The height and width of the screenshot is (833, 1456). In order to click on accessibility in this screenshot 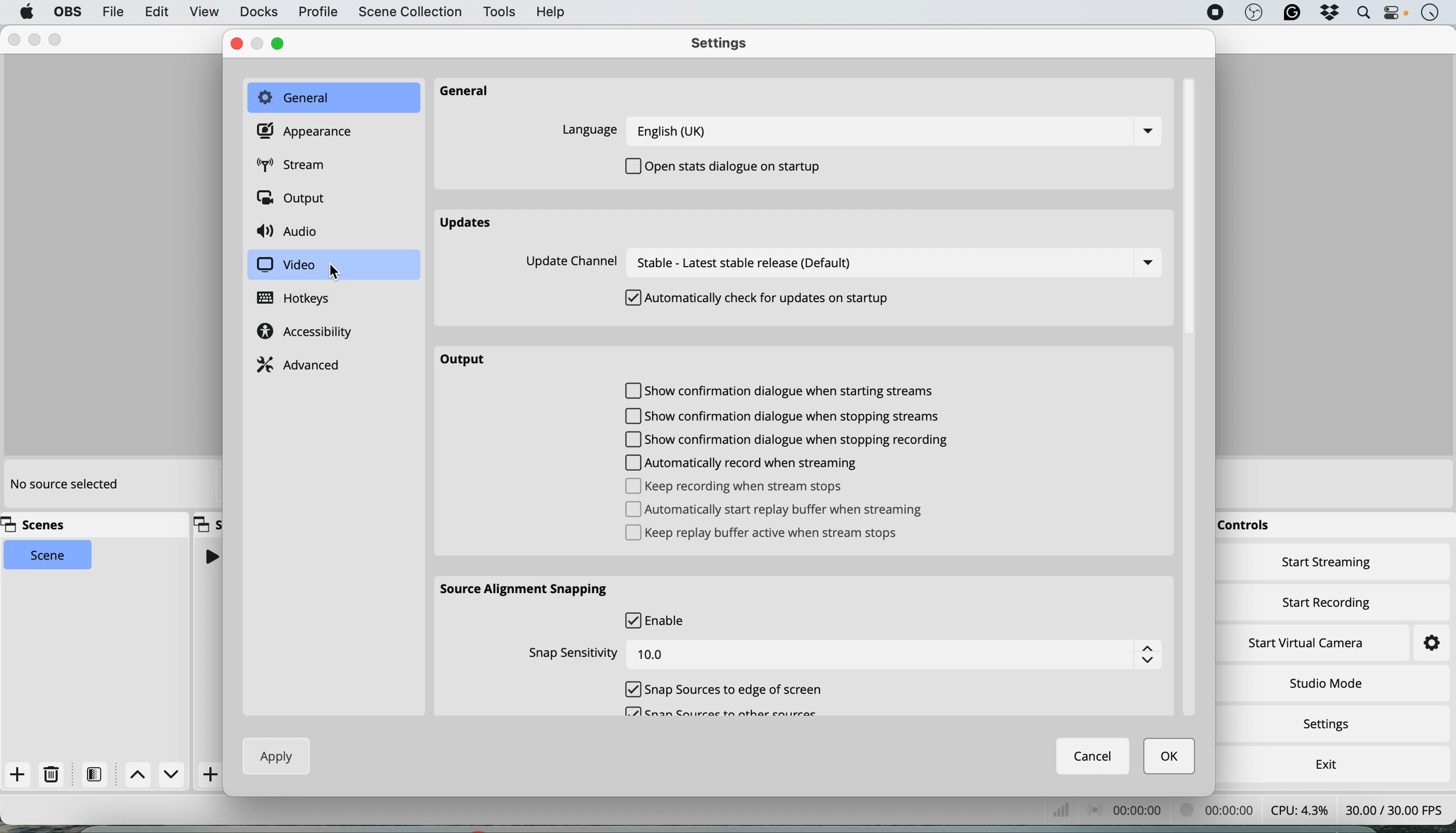, I will do `click(309, 333)`.